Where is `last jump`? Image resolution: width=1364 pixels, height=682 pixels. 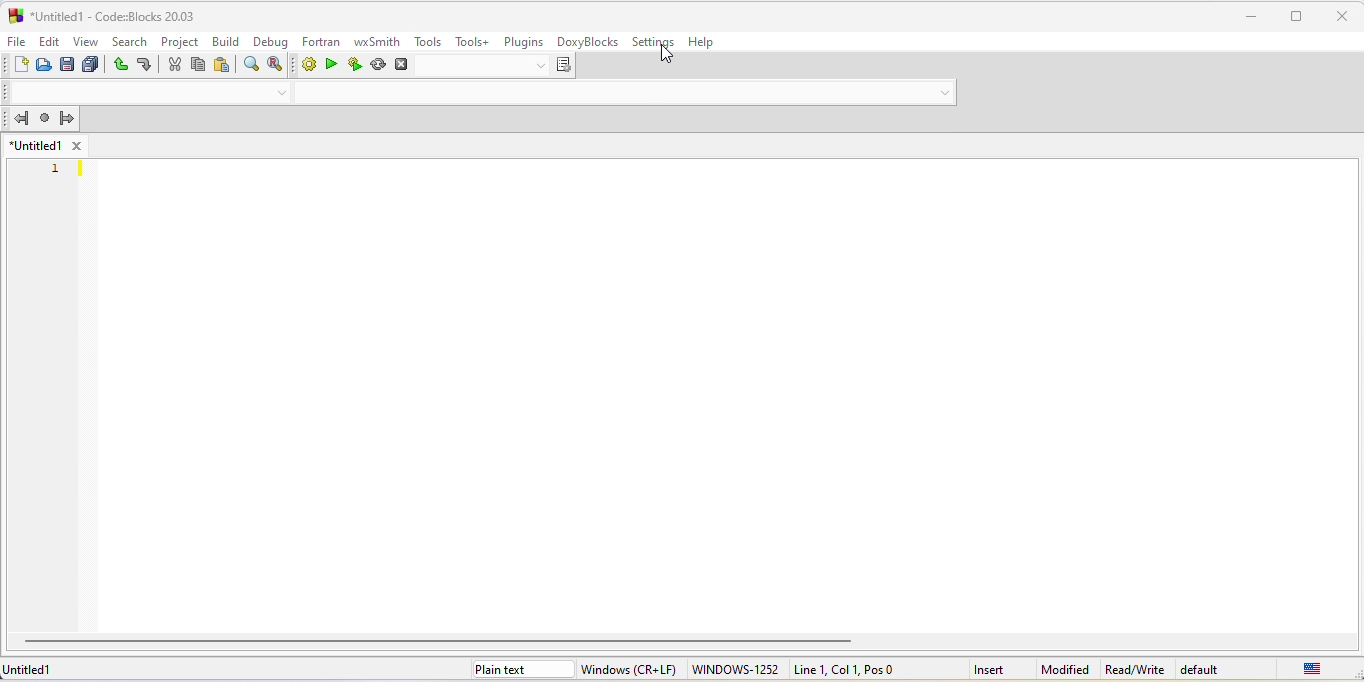
last jump is located at coordinates (45, 117).